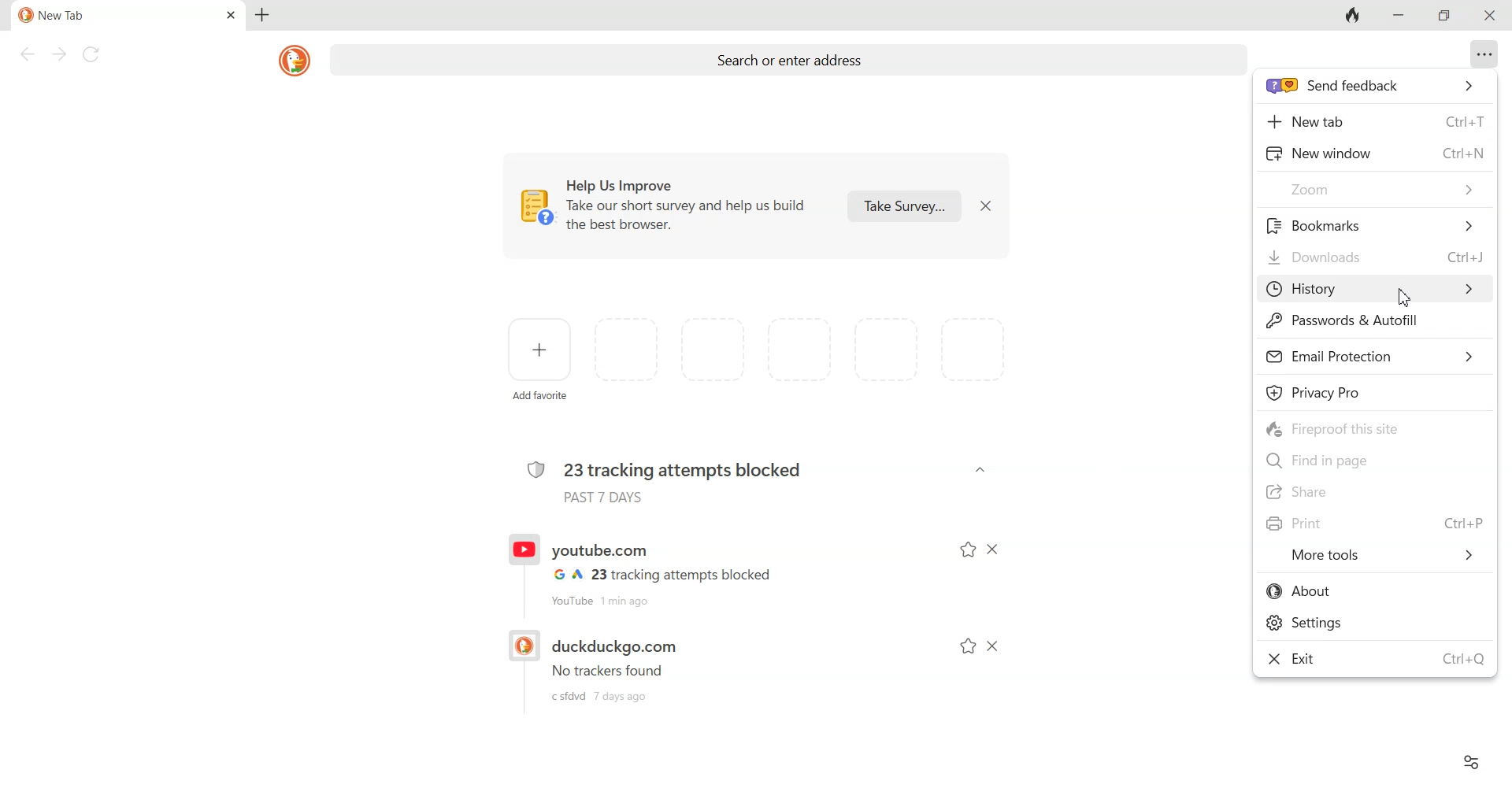 The width and height of the screenshot is (1512, 803). Describe the element at coordinates (995, 550) in the screenshot. I see `Dismiss` at that location.